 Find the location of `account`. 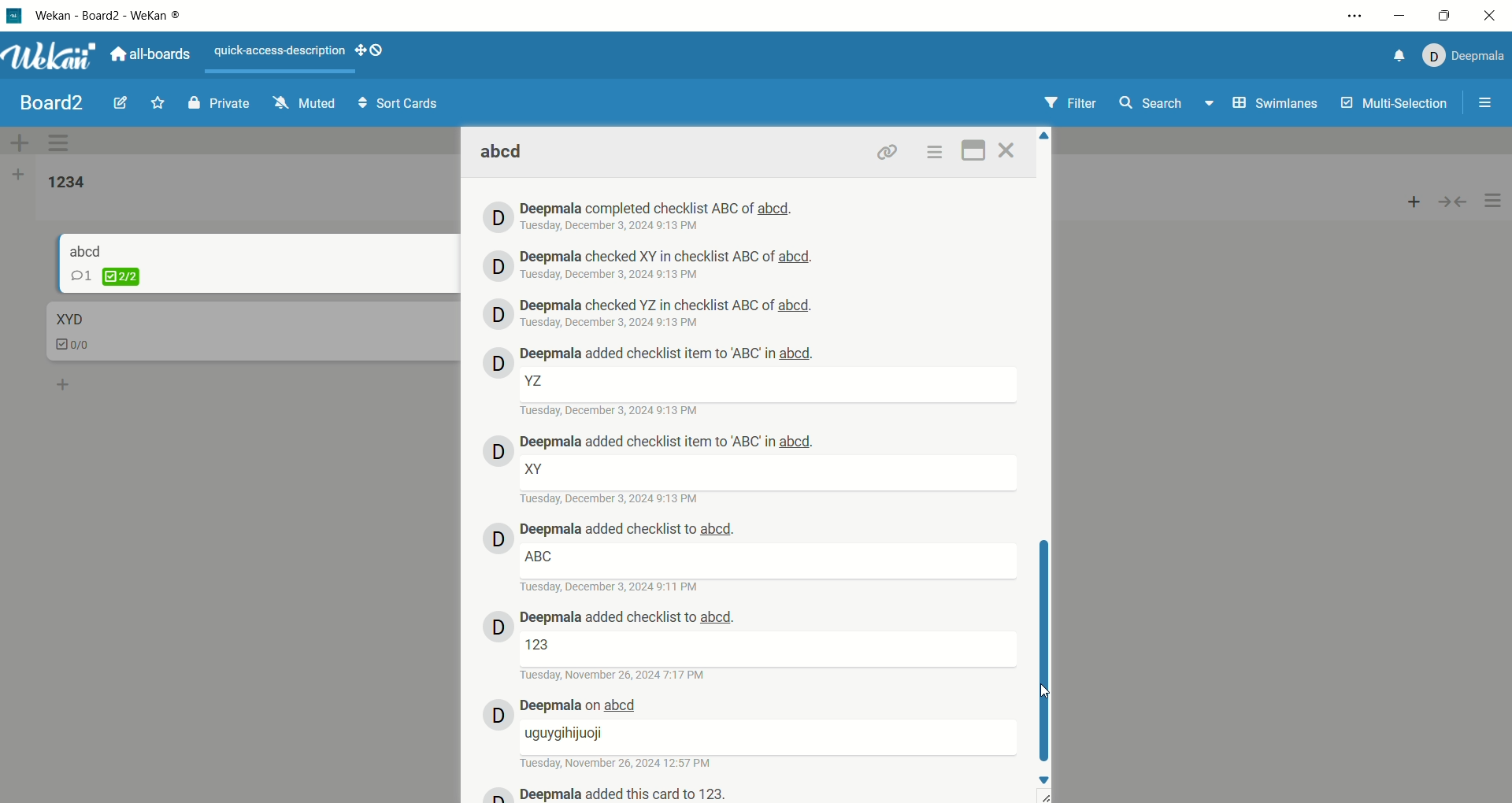

account is located at coordinates (1461, 56).